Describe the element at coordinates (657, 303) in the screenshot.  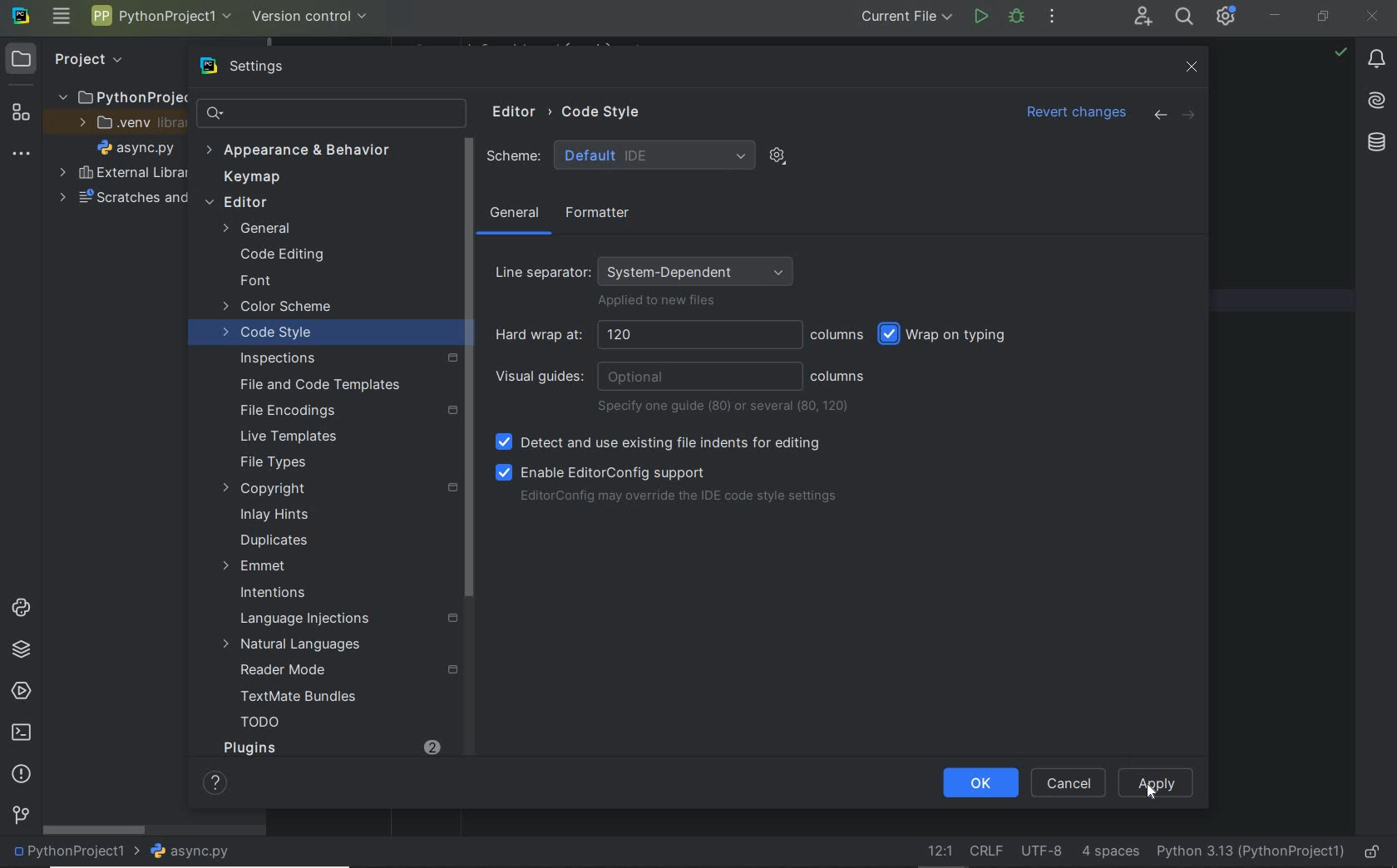
I see `Applied to new files` at that location.